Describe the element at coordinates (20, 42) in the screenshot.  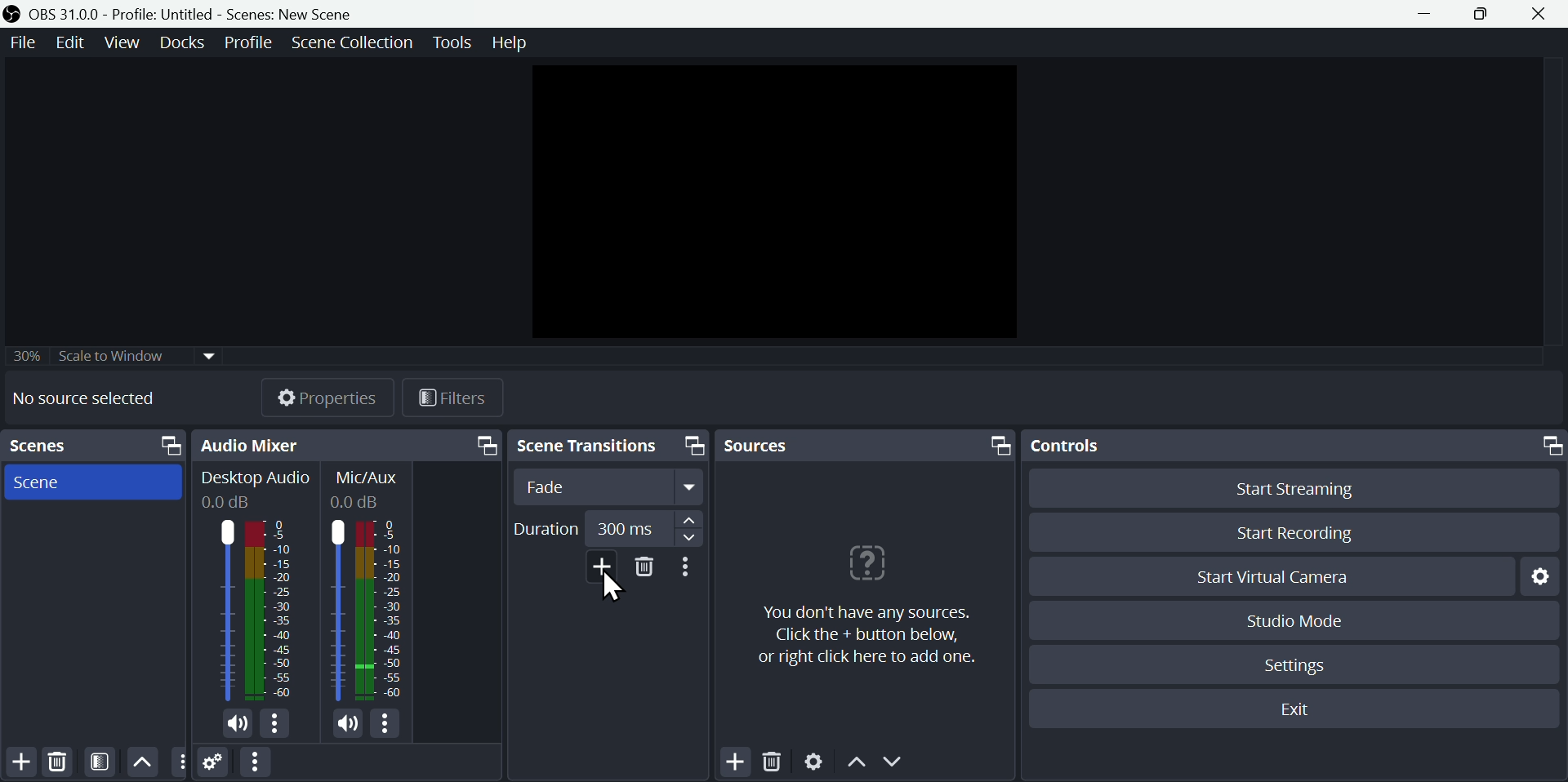
I see `` at that location.